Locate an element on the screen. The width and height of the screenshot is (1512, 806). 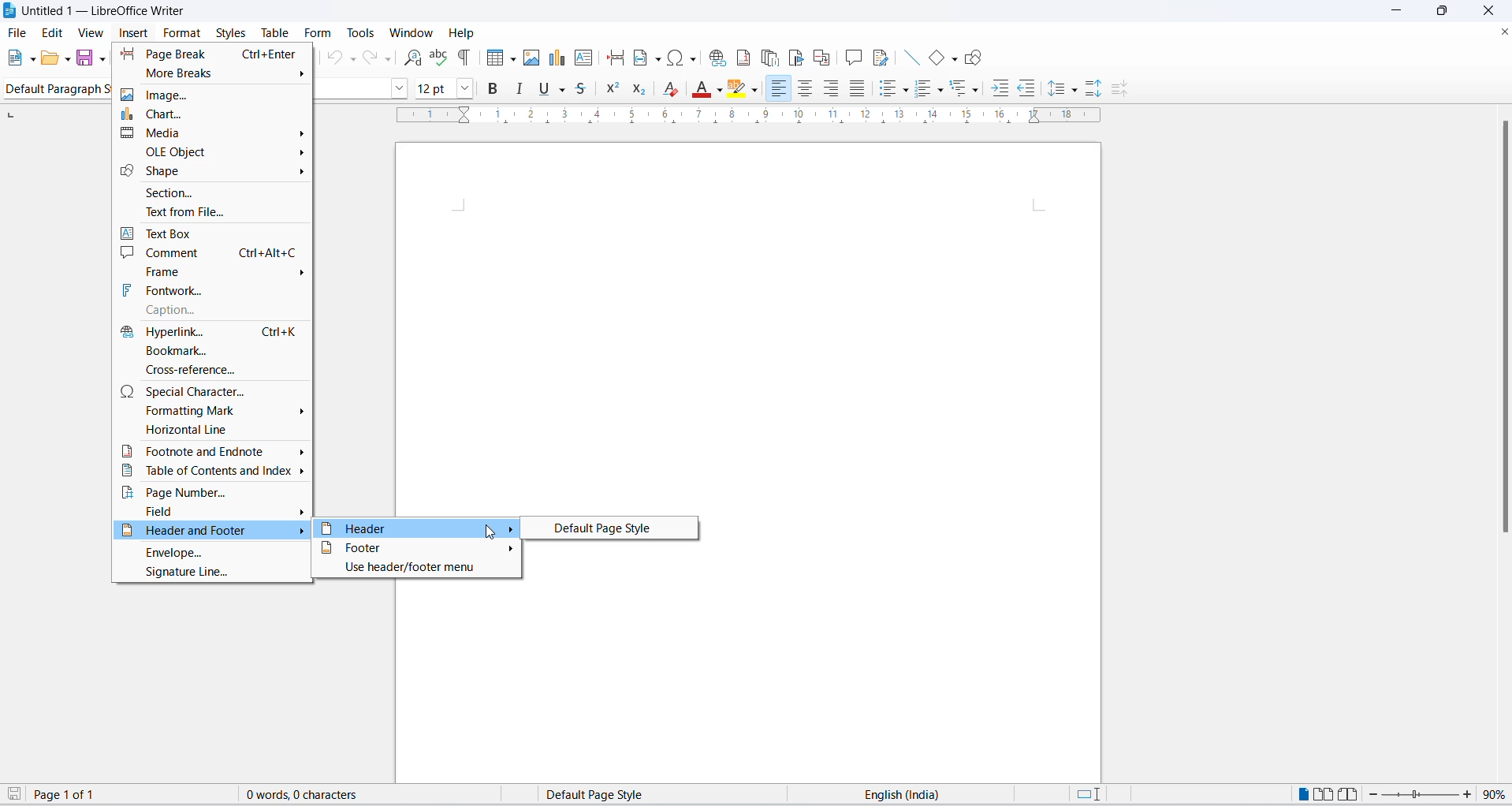
zoom percentage is located at coordinates (1497, 794).